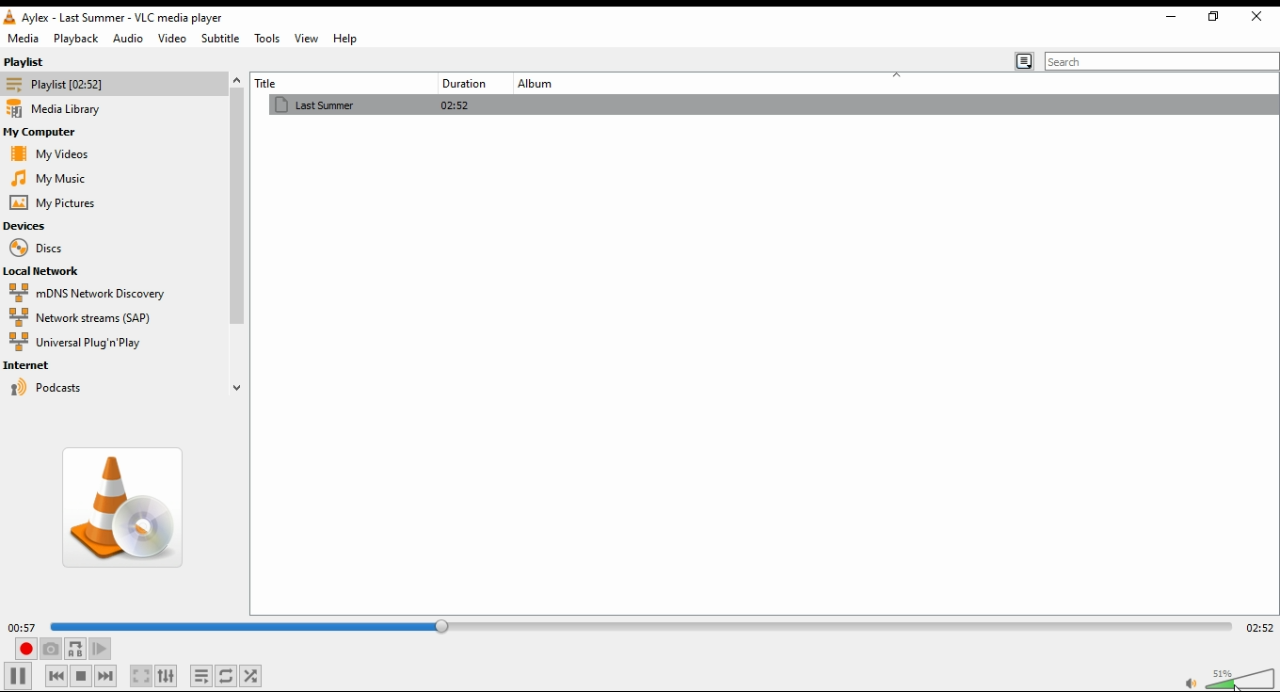 The height and width of the screenshot is (692, 1280). Describe the element at coordinates (1213, 18) in the screenshot. I see `restore` at that location.